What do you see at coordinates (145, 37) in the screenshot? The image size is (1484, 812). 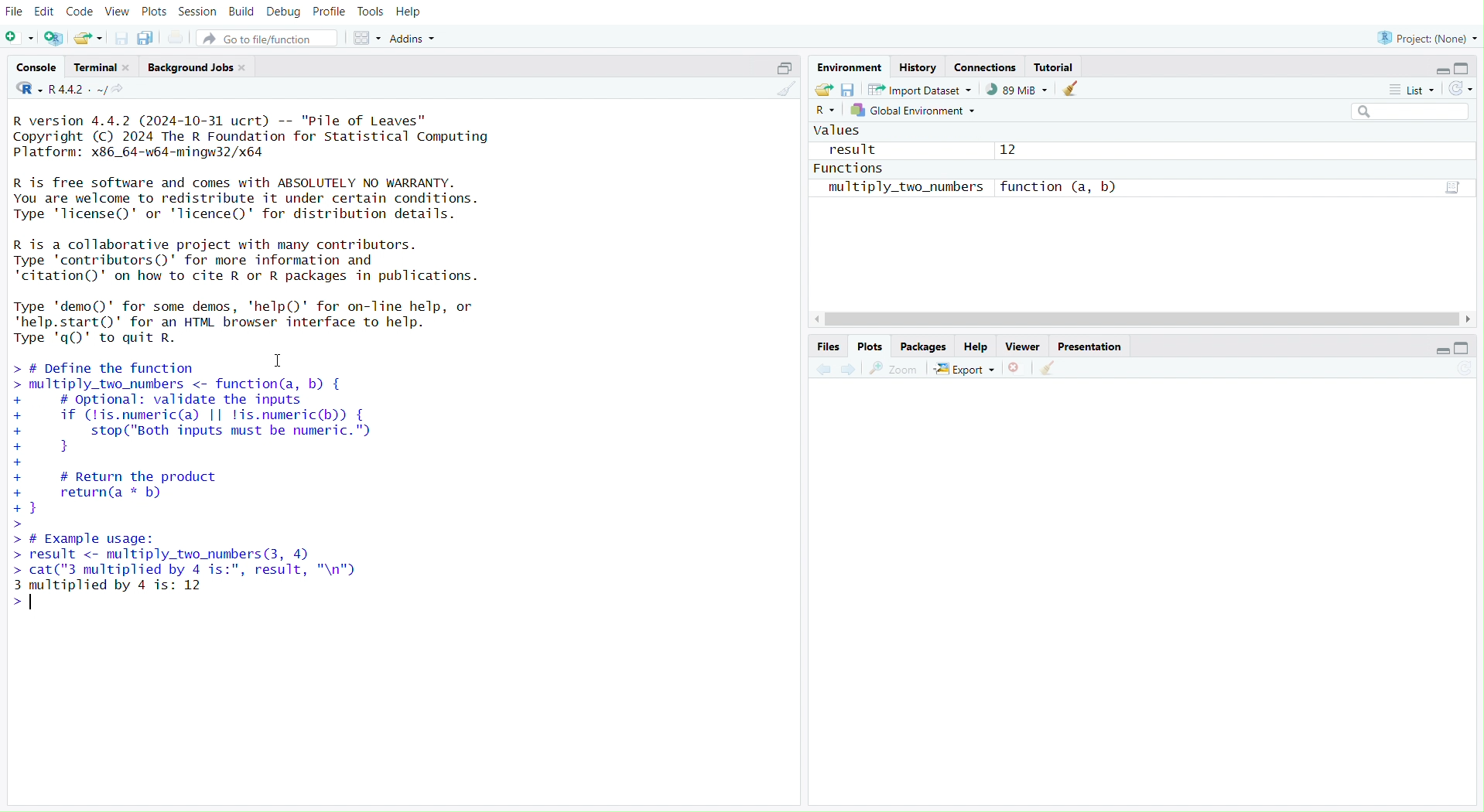 I see `Save all open documents (Ctrl + Alt + S)` at bounding box center [145, 37].